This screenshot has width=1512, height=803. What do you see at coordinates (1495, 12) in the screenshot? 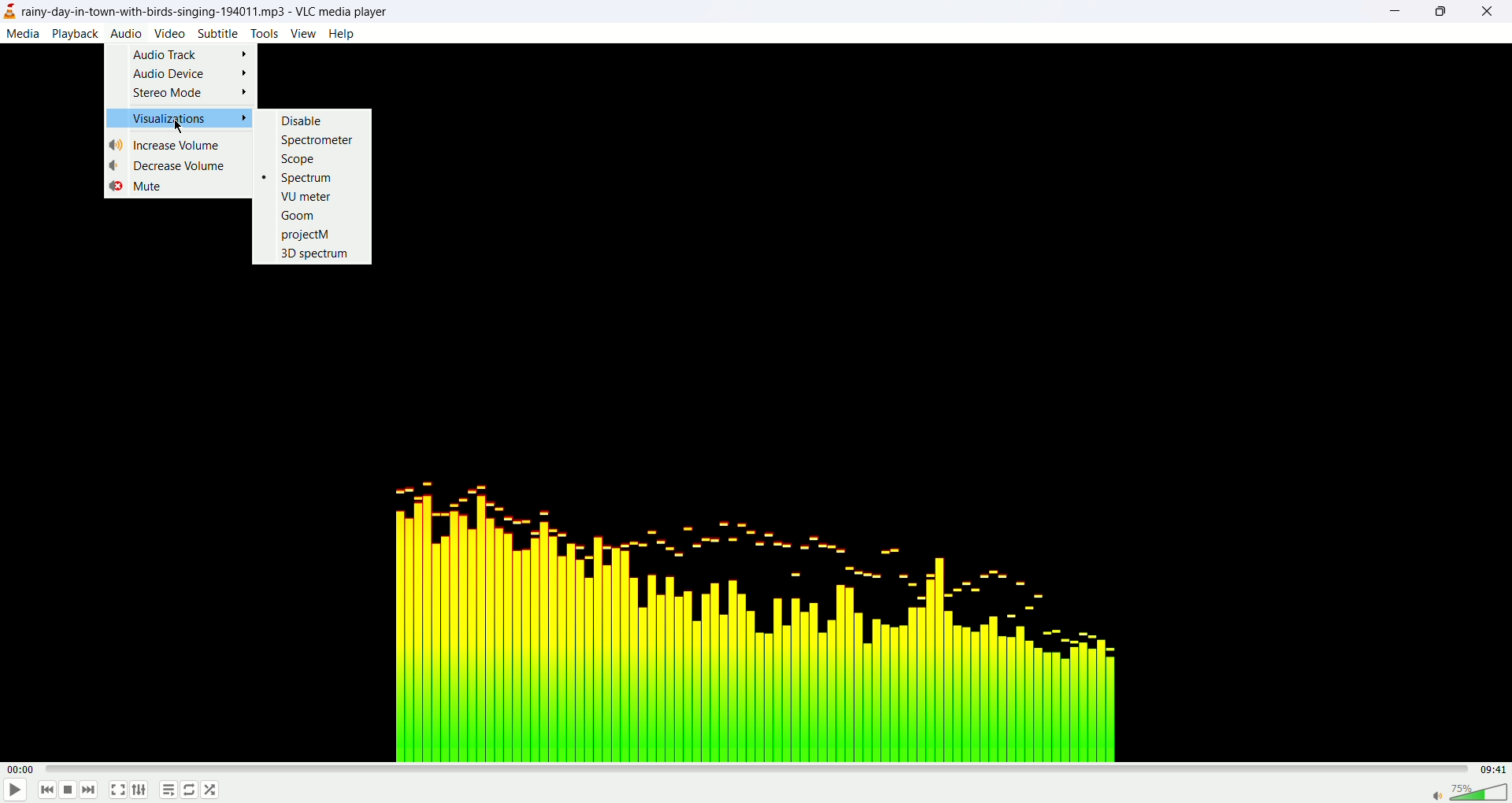
I see `close` at bounding box center [1495, 12].